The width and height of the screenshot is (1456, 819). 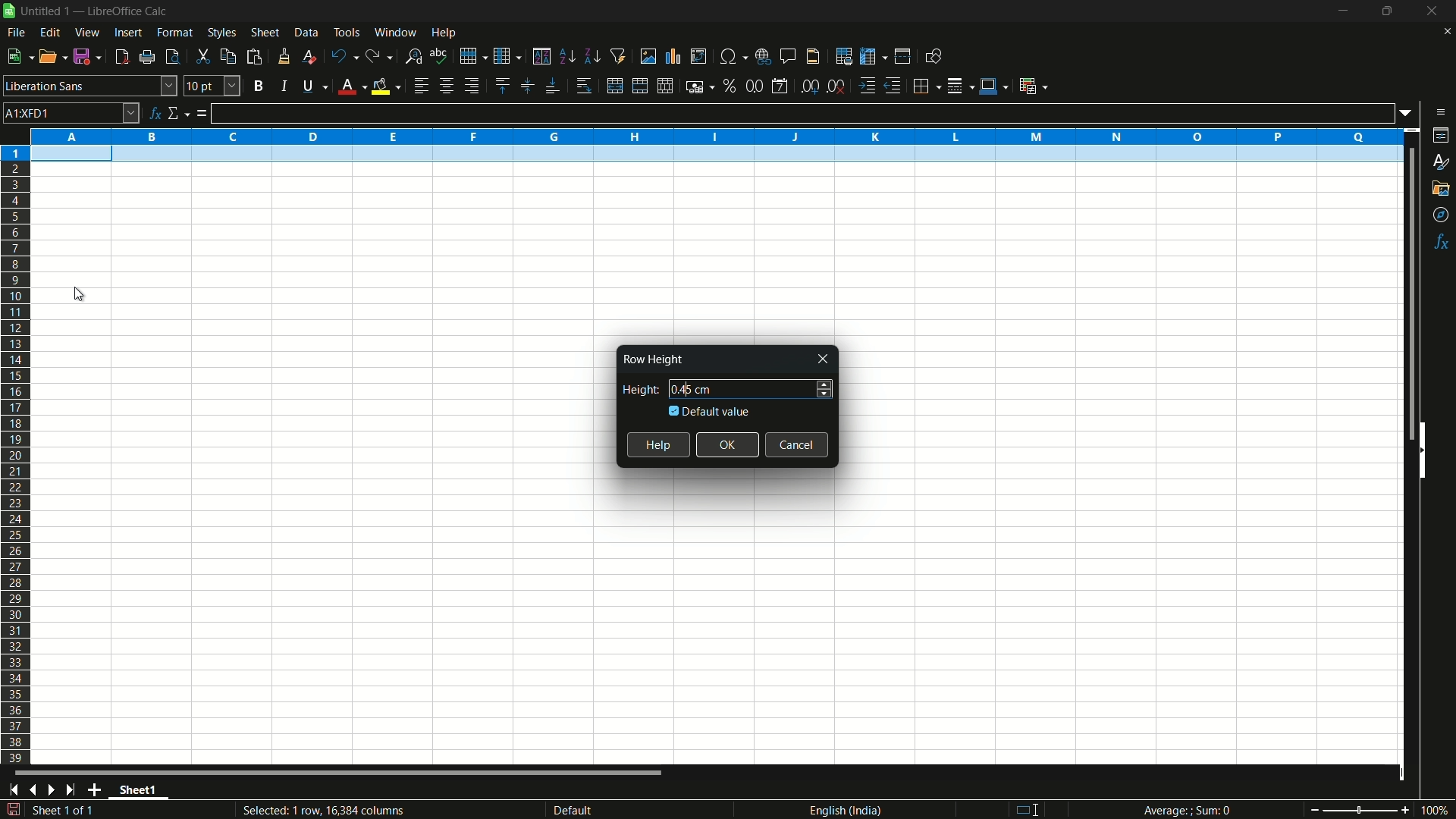 What do you see at coordinates (902, 57) in the screenshot?
I see `split window` at bounding box center [902, 57].